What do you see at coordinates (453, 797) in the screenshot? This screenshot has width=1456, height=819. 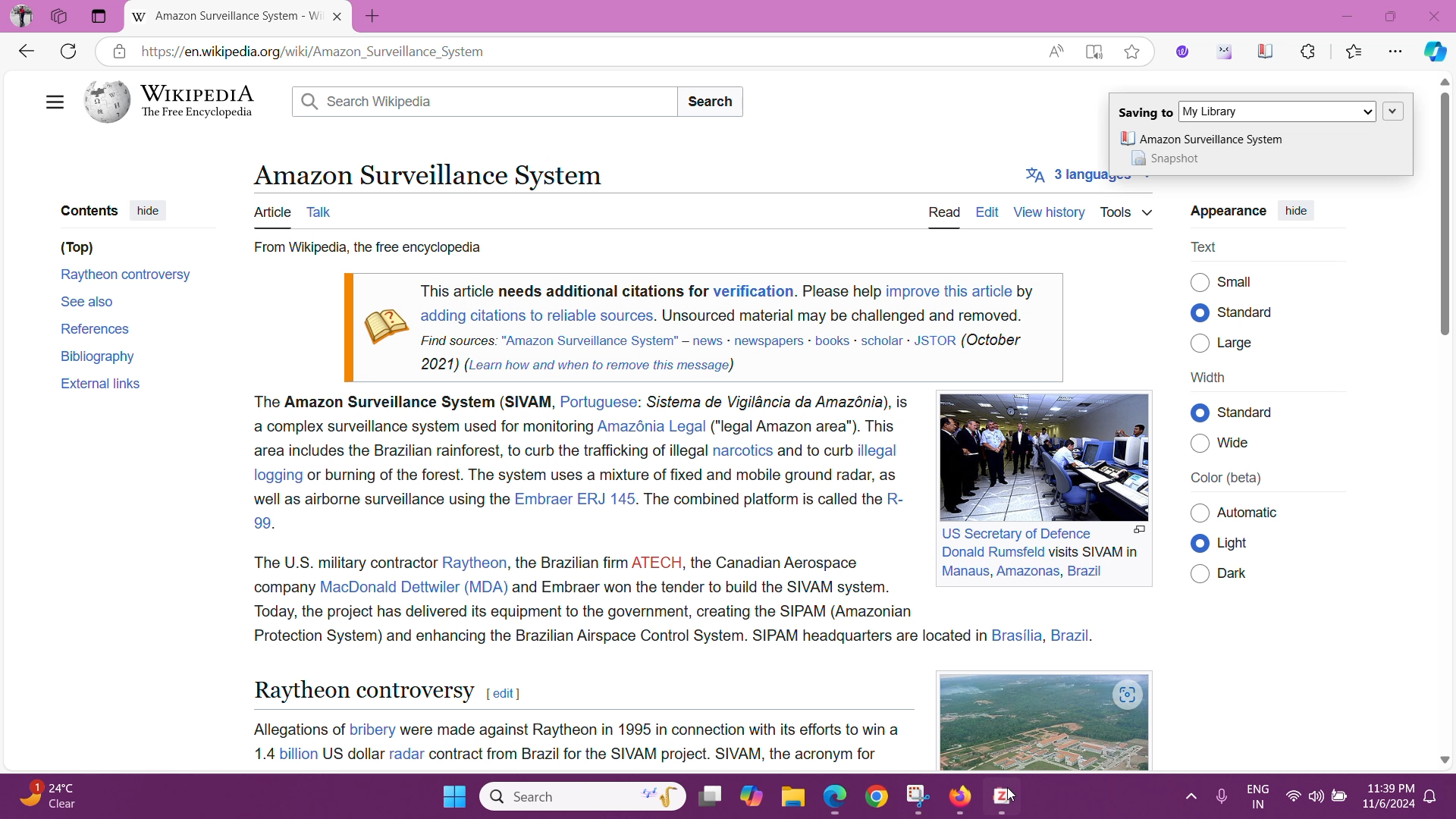 I see `windows start` at bounding box center [453, 797].